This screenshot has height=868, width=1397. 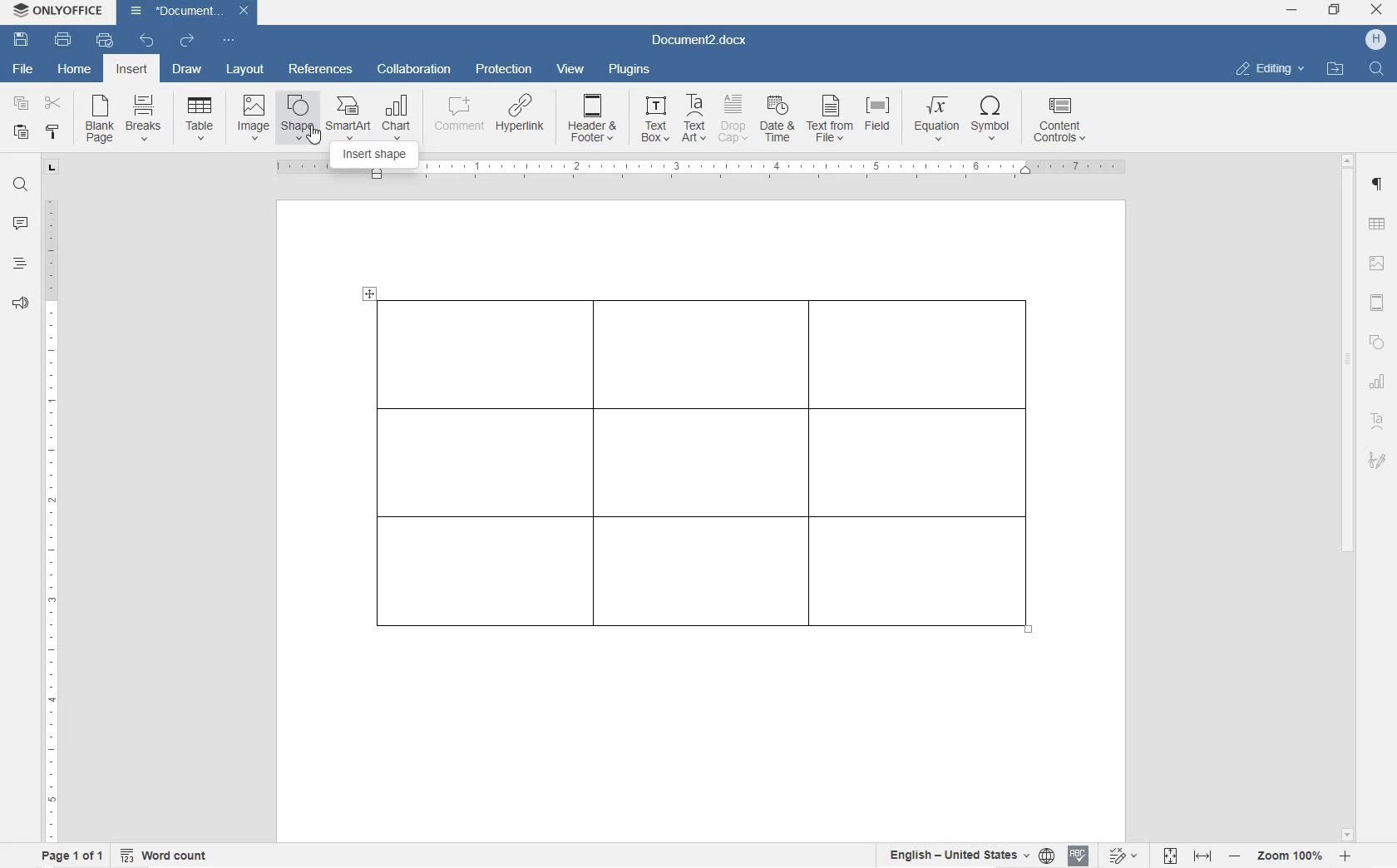 I want to click on shape, so click(x=1377, y=342).